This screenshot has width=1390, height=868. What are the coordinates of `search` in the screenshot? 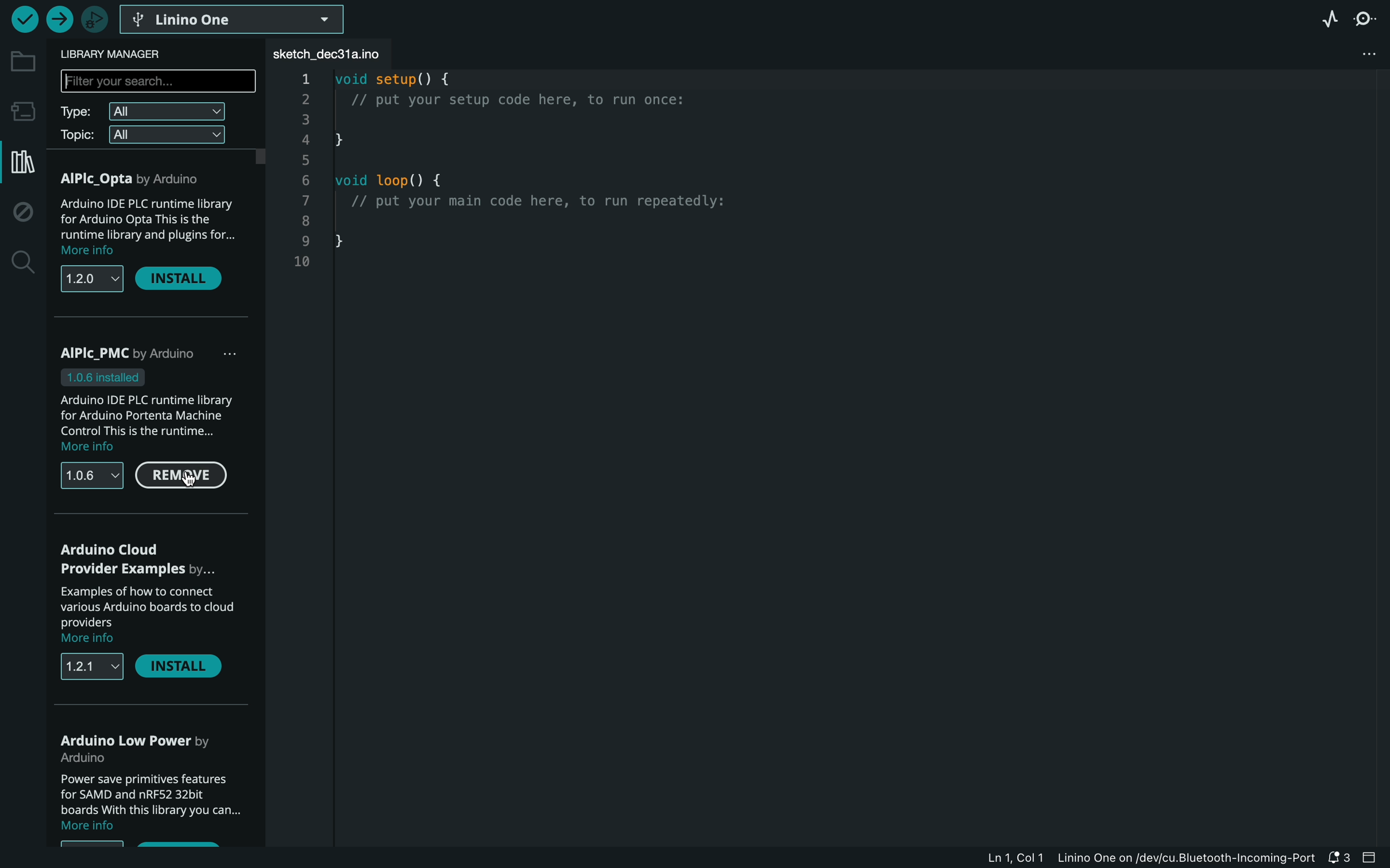 It's located at (20, 262).